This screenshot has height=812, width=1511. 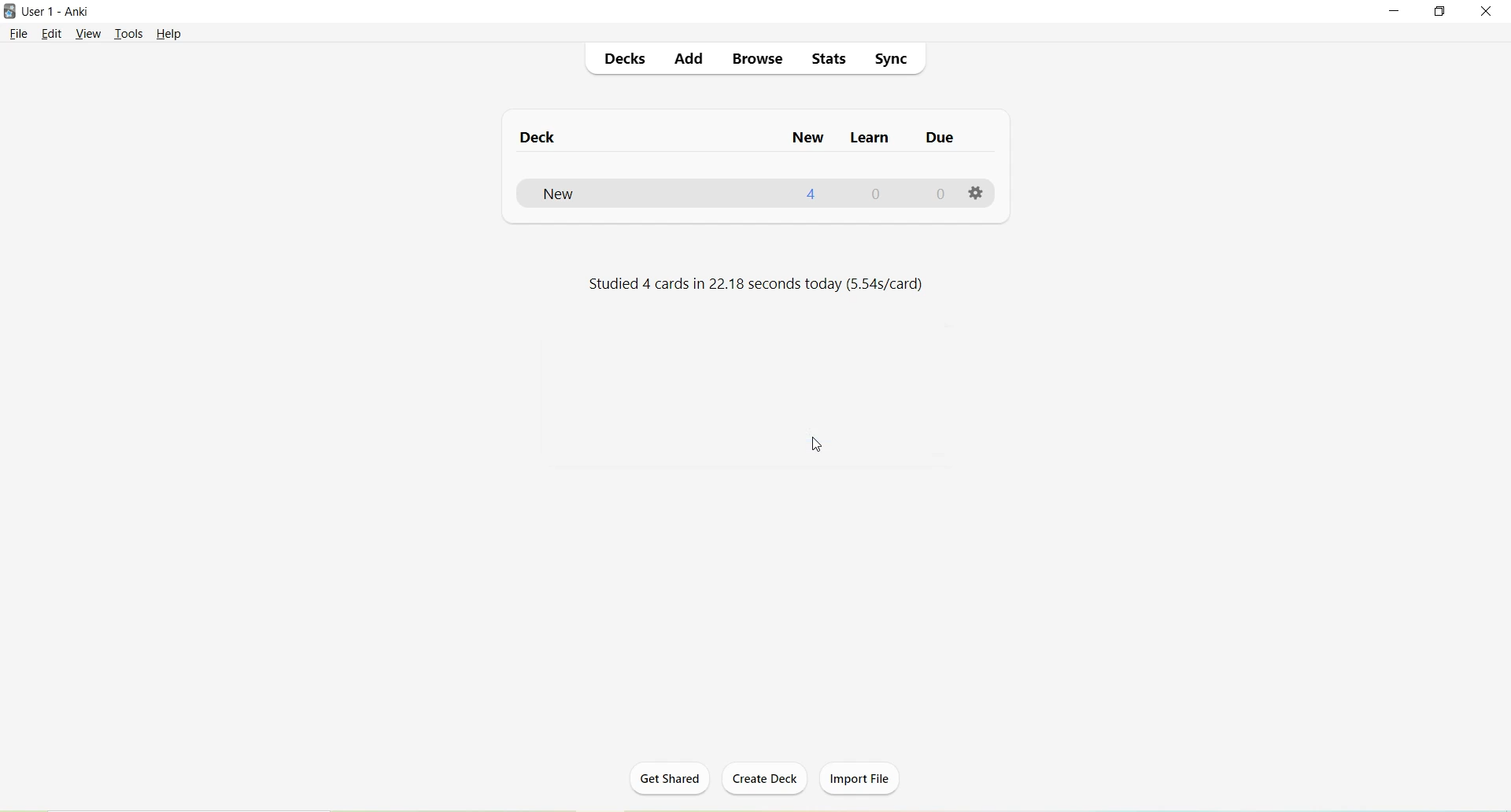 What do you see at coordinates (168, 34) in the screenshot?
I see `Help` at bounding box center [168, 34].